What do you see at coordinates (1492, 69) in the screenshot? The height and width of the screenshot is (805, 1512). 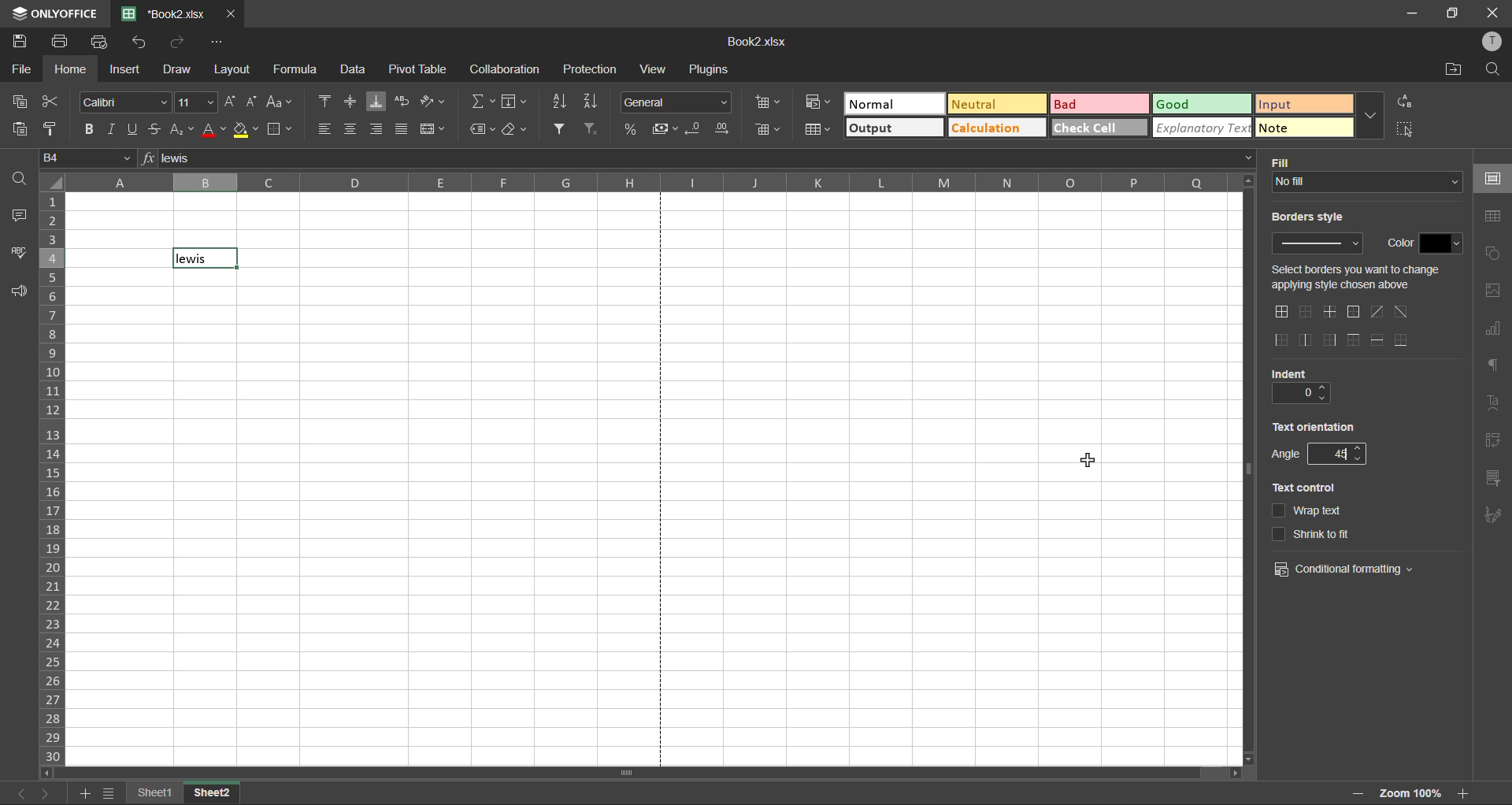 I see `find` at bounding box center [1492, 69].